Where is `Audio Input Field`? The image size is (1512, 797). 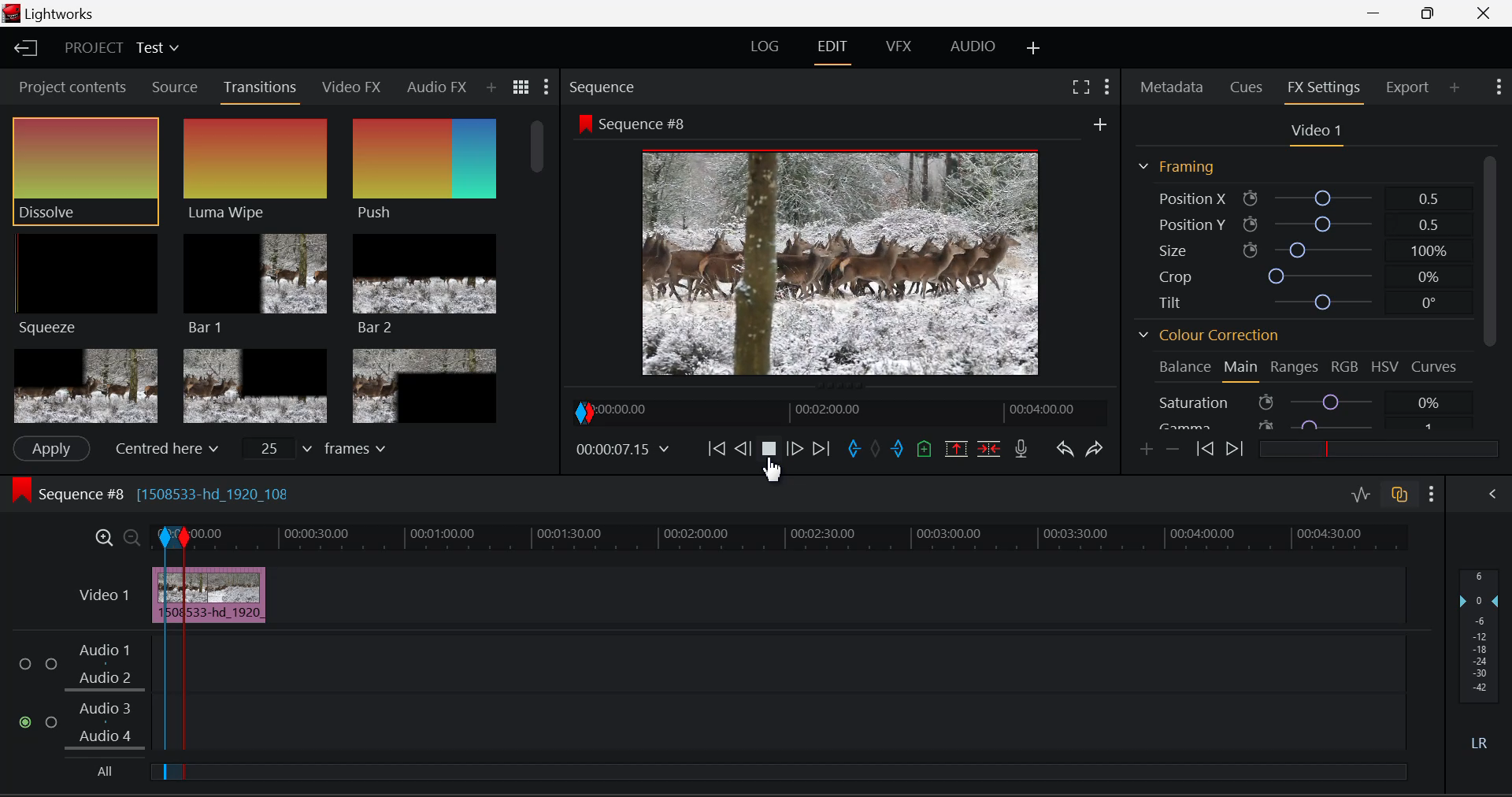
Audio Input Field is located at coordinates (798, 724).